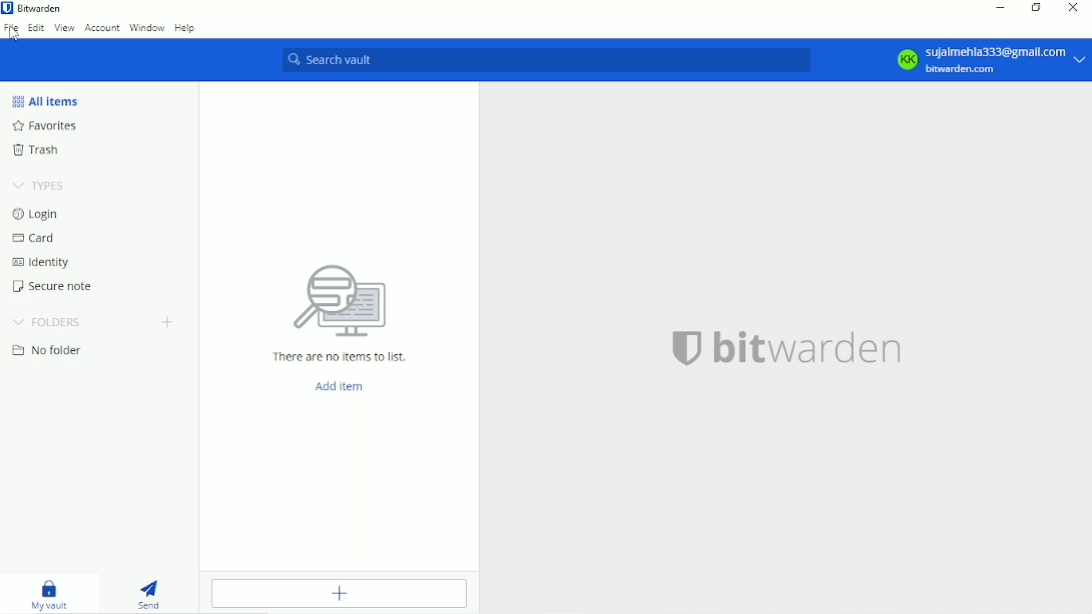  What do you see at coordinates (103, 28) in the screenshot?
I see `Account` at bounding box center [103, 28].